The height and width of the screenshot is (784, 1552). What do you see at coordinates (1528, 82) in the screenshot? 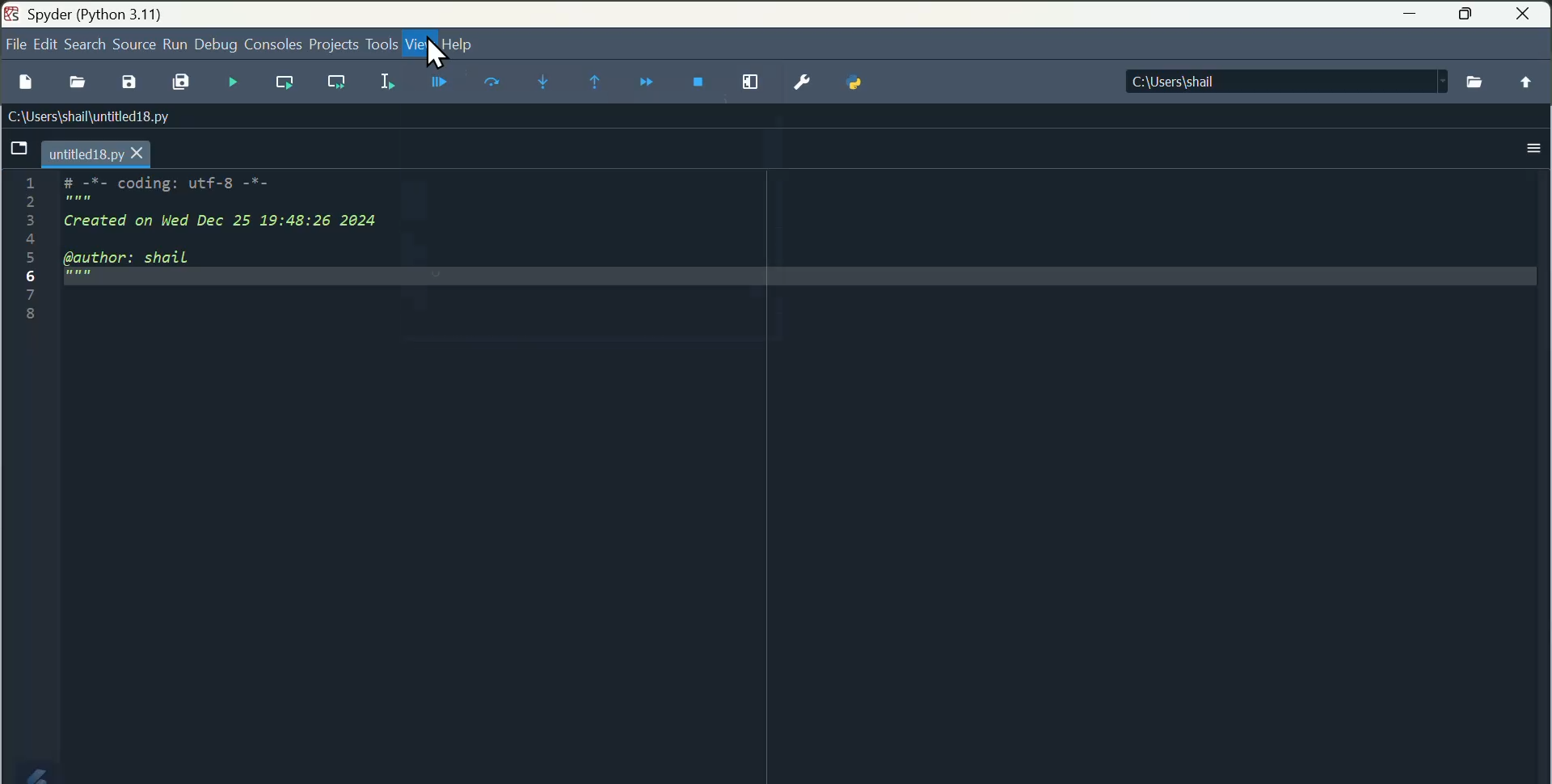
I see `change to parent directory` at bounding box center [1528, 82].